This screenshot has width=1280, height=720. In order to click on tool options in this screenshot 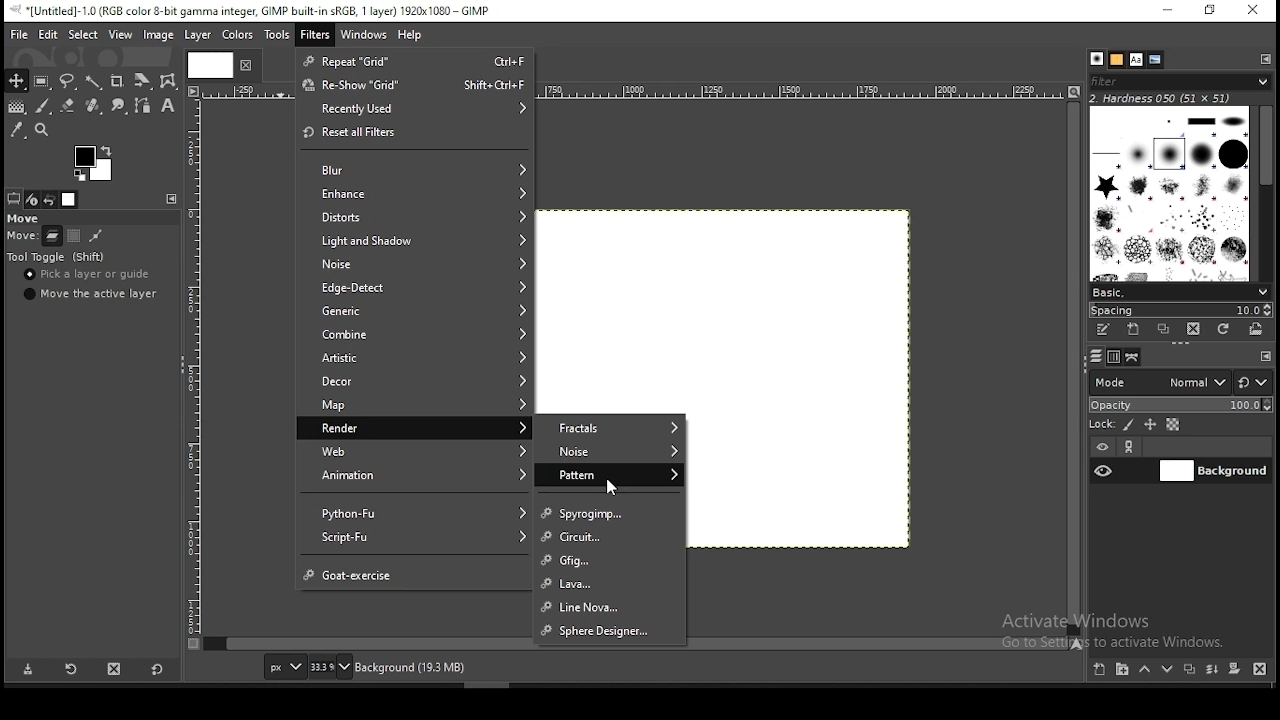, I will do `click(15, 199)`.